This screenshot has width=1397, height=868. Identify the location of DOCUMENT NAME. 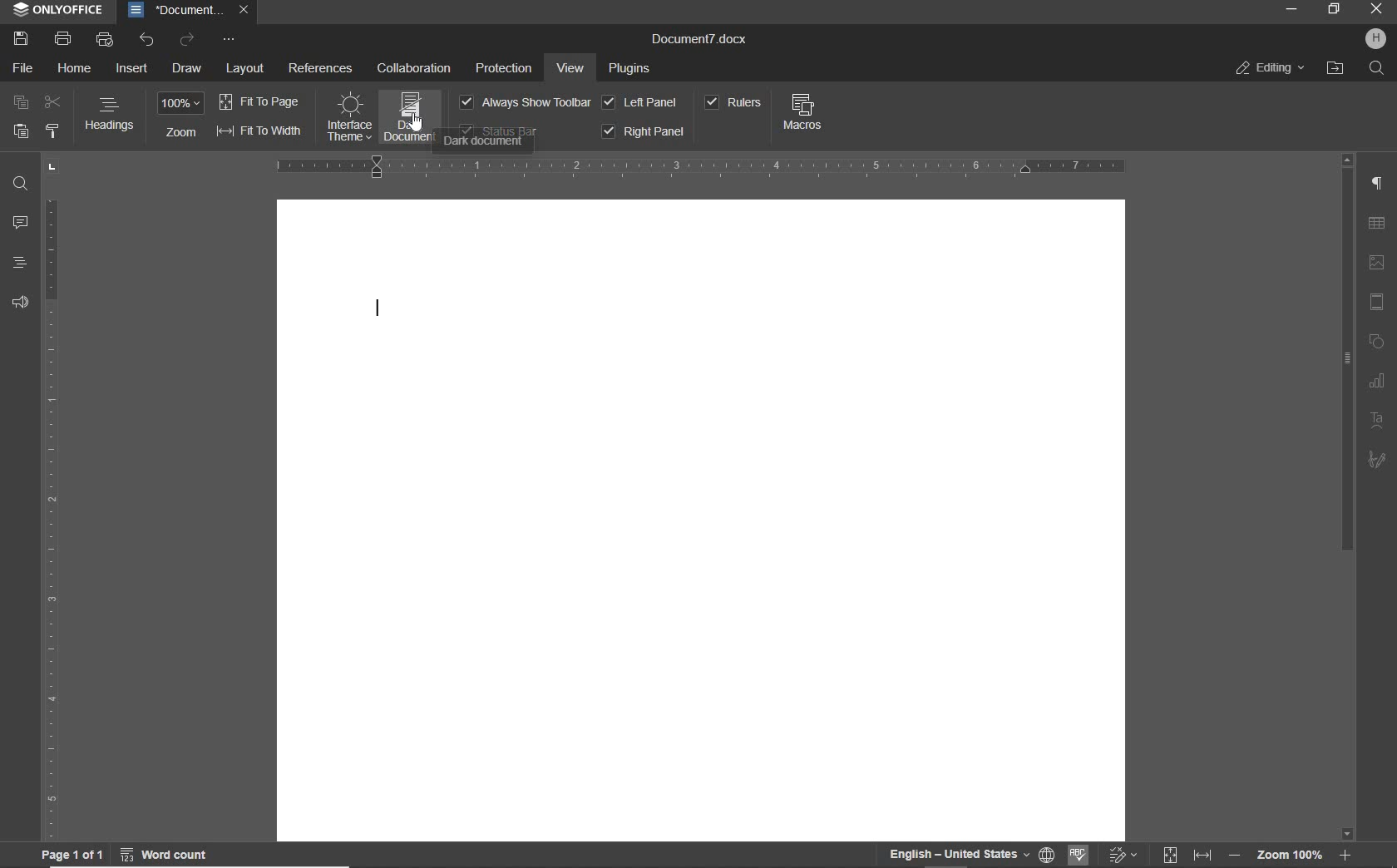
(699, 38).